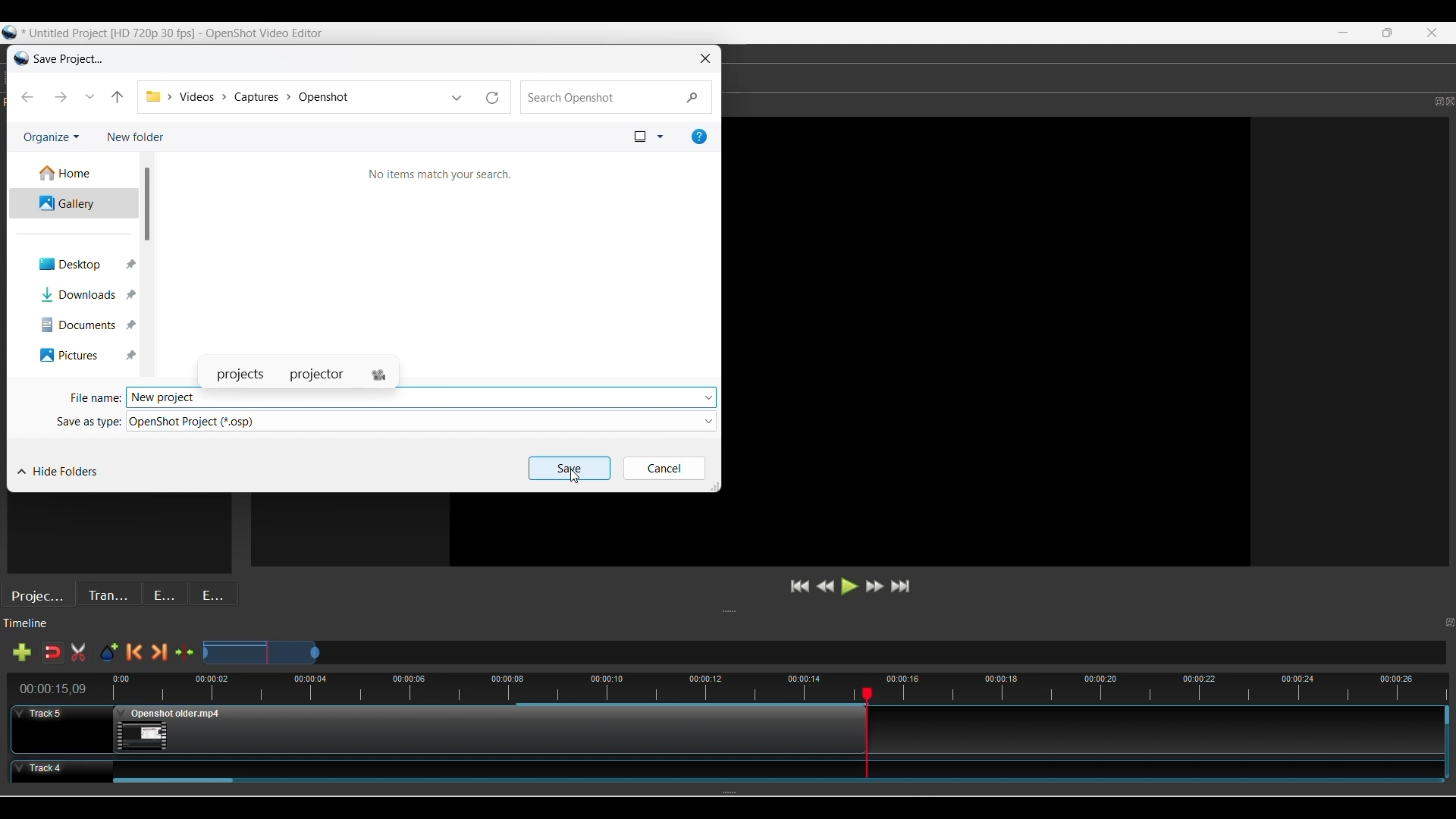 The image size is (1456, 819). Describe the element at coordinates (413, 421) in the screenshot. I see `Select file type` at that location.